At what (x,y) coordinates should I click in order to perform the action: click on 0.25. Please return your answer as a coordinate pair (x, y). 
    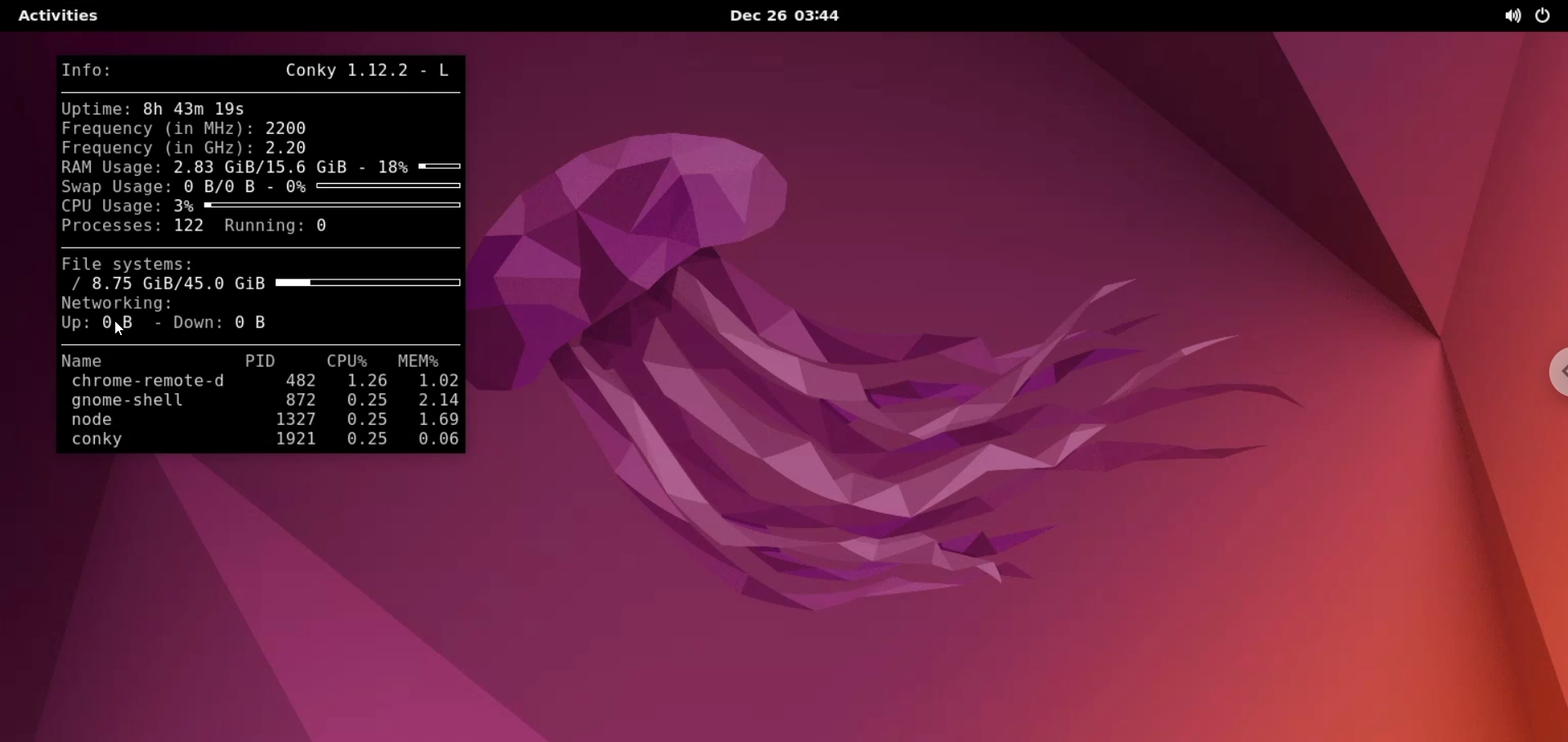
    Looking at the image, I should click on (367, 441).